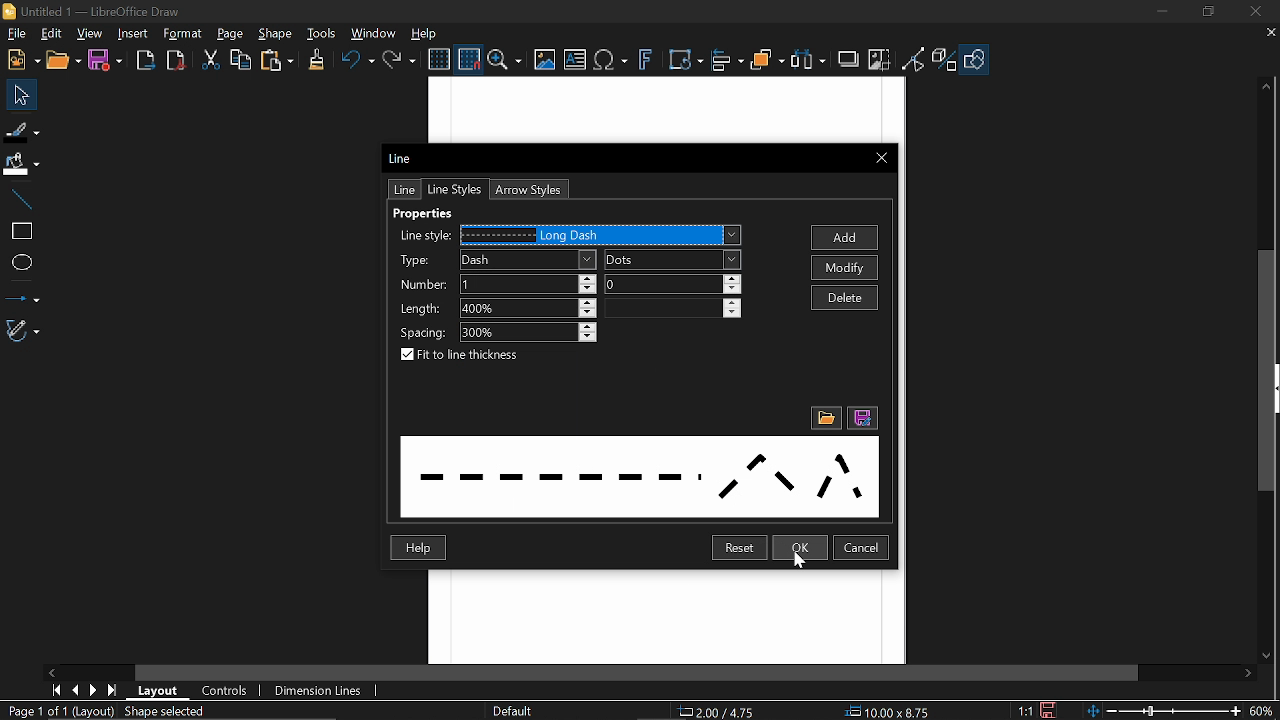 Image resolution: width=1280 pixels, height=720 pixels. What do you see at coordinates (601, 236) in the screenshot?
I see `Line styles` at bounding box center [601, 236].